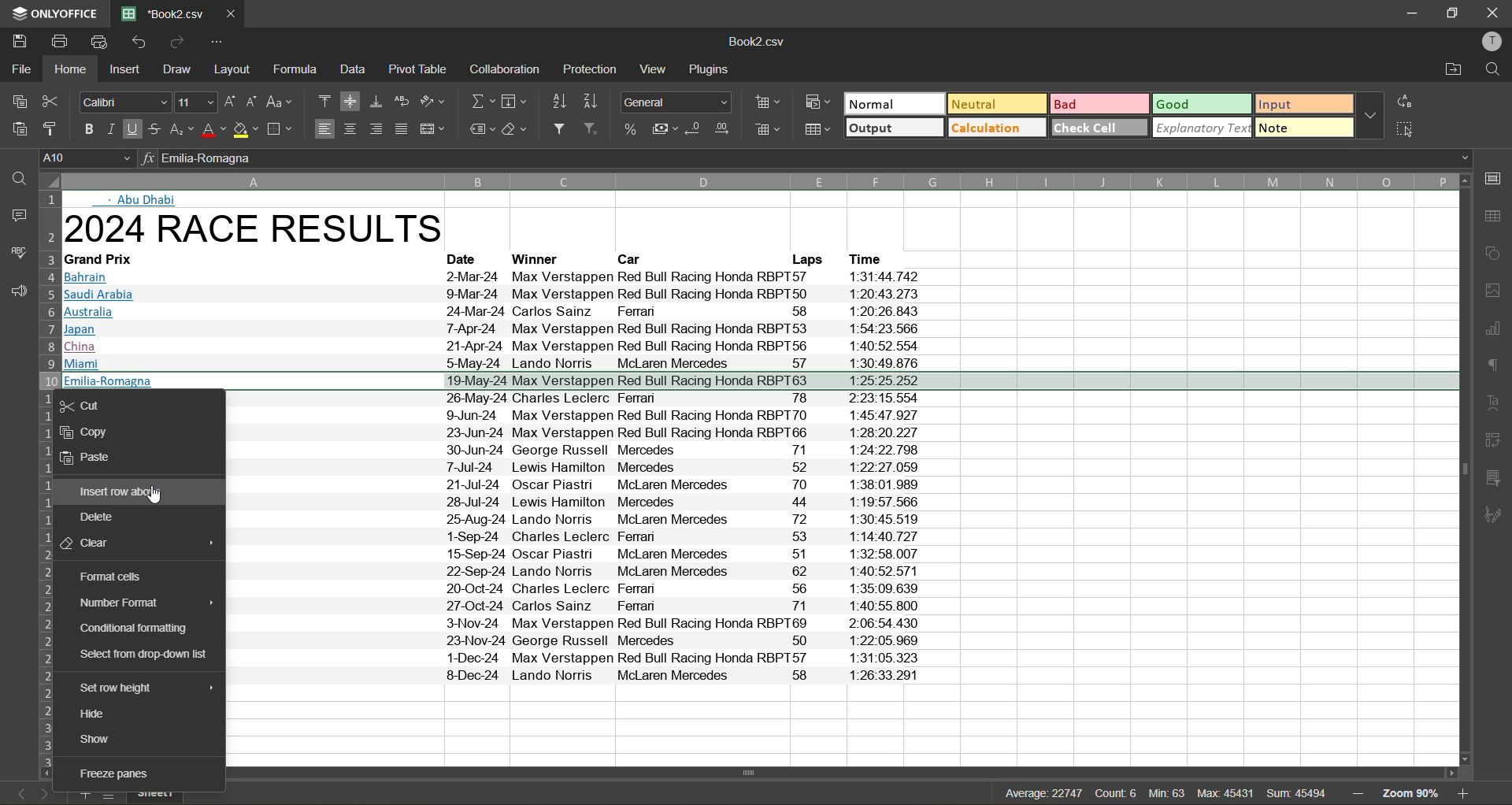 This screenshot has width=1512, height=805. Describe the element at coordinates (817, 131) in the screenshot. I see `format as table` at that location.